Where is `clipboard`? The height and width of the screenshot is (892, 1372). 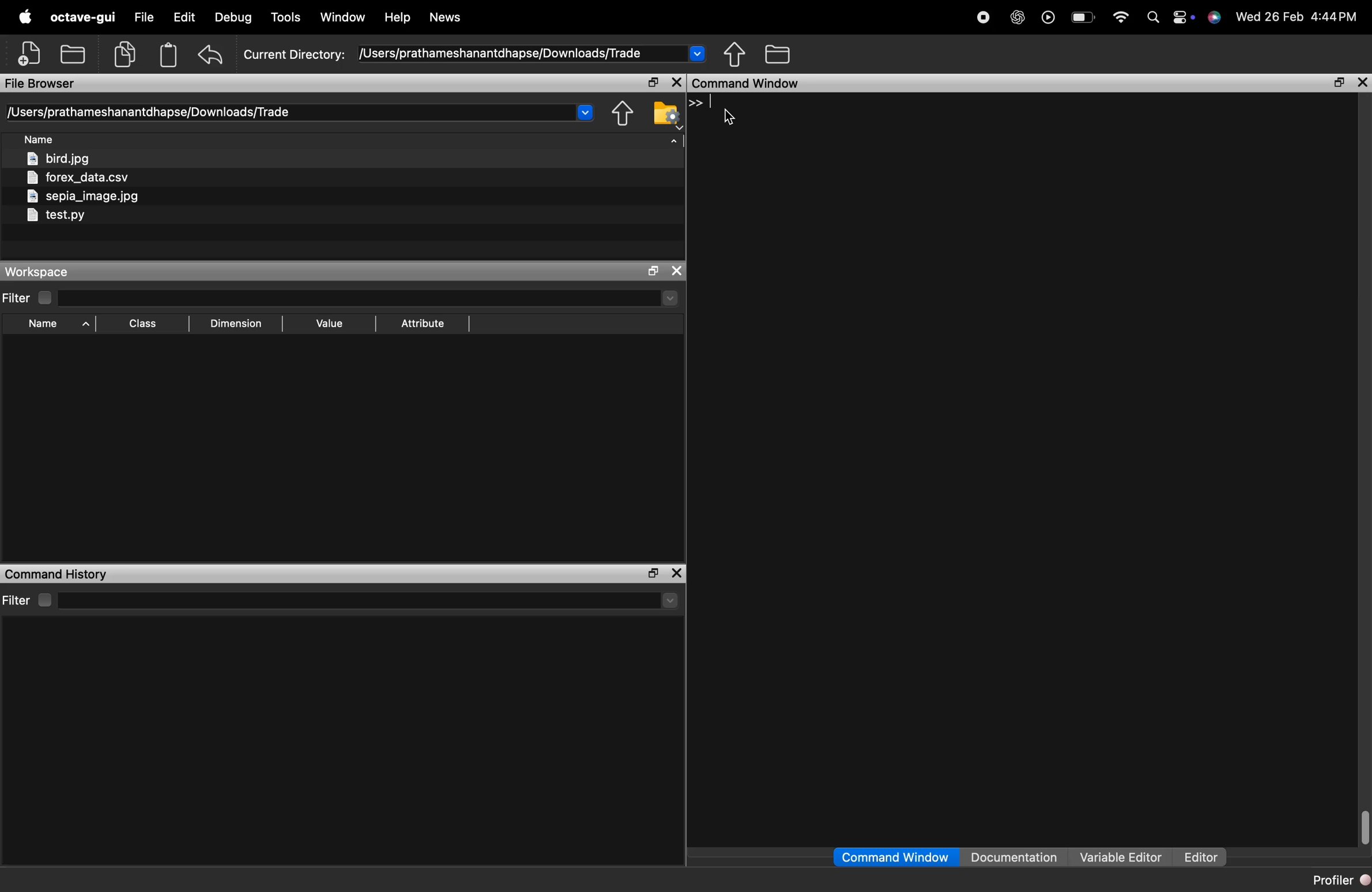
clipboard is located at coordinates (168, 55).